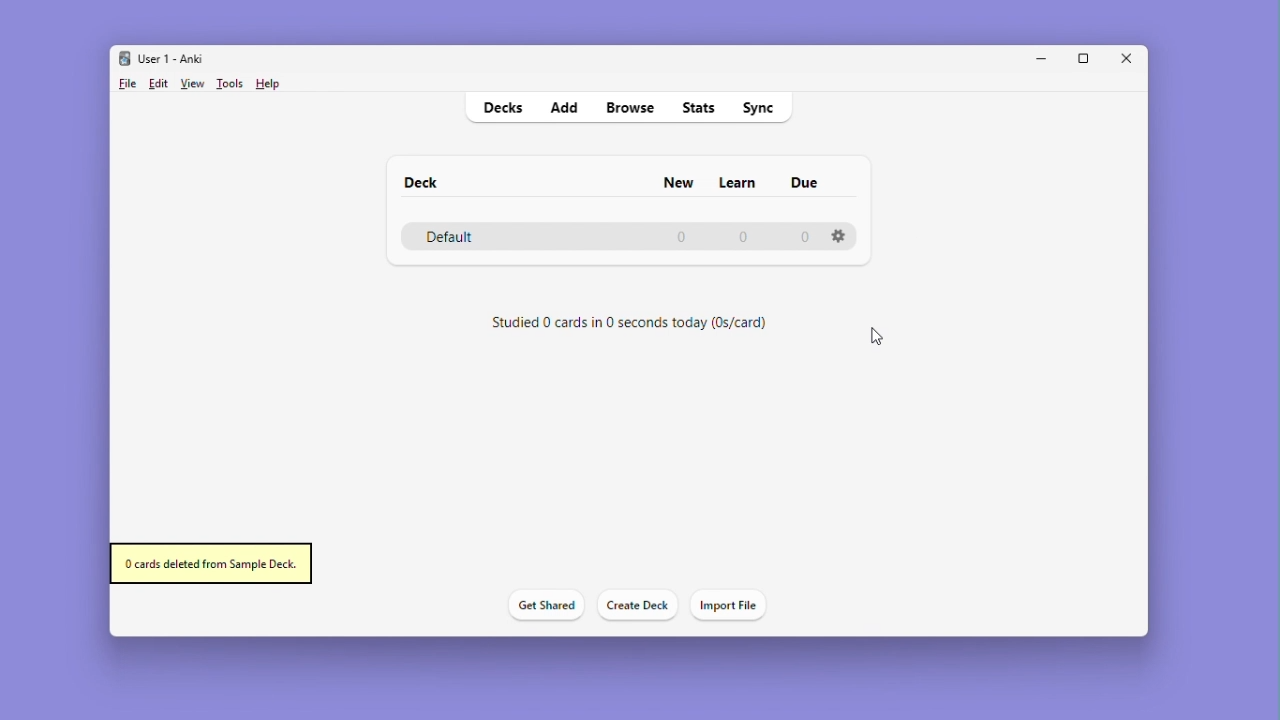  I want to click on Close, so click(1132, 58).